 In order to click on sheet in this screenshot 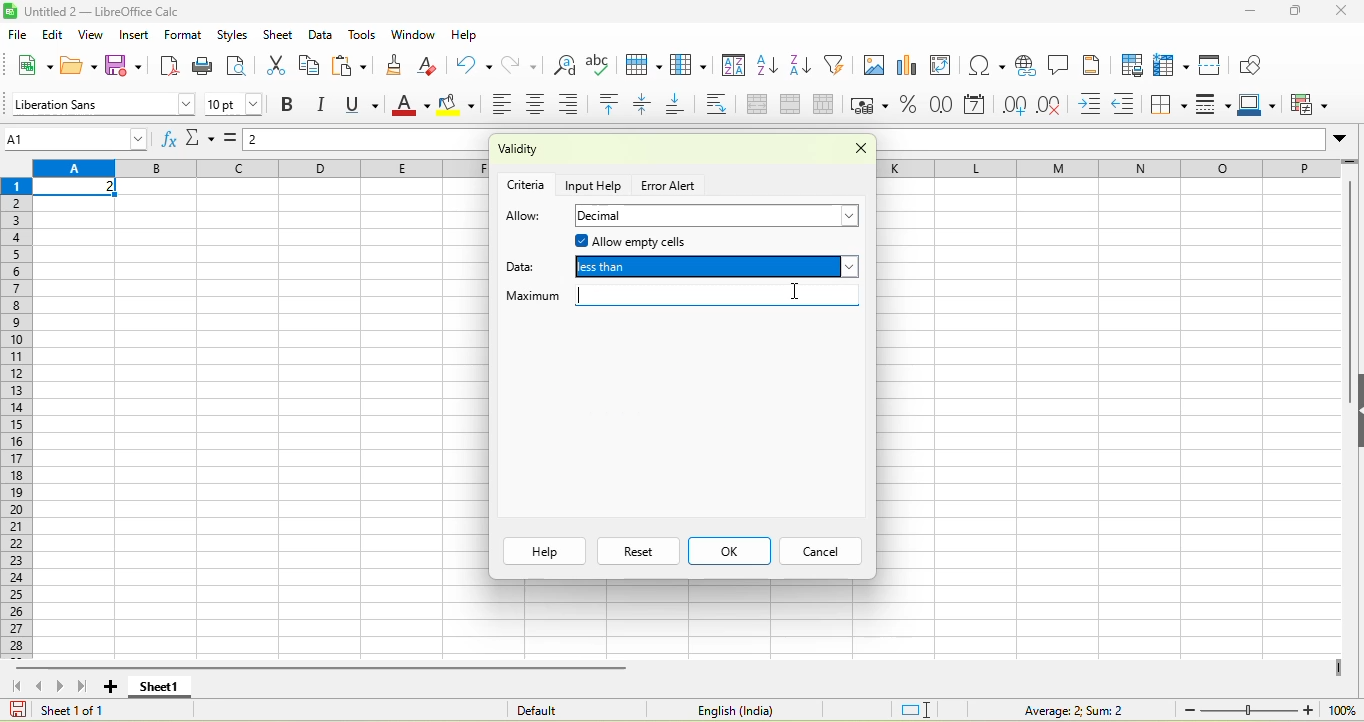, I will do `click(278, 35)`.